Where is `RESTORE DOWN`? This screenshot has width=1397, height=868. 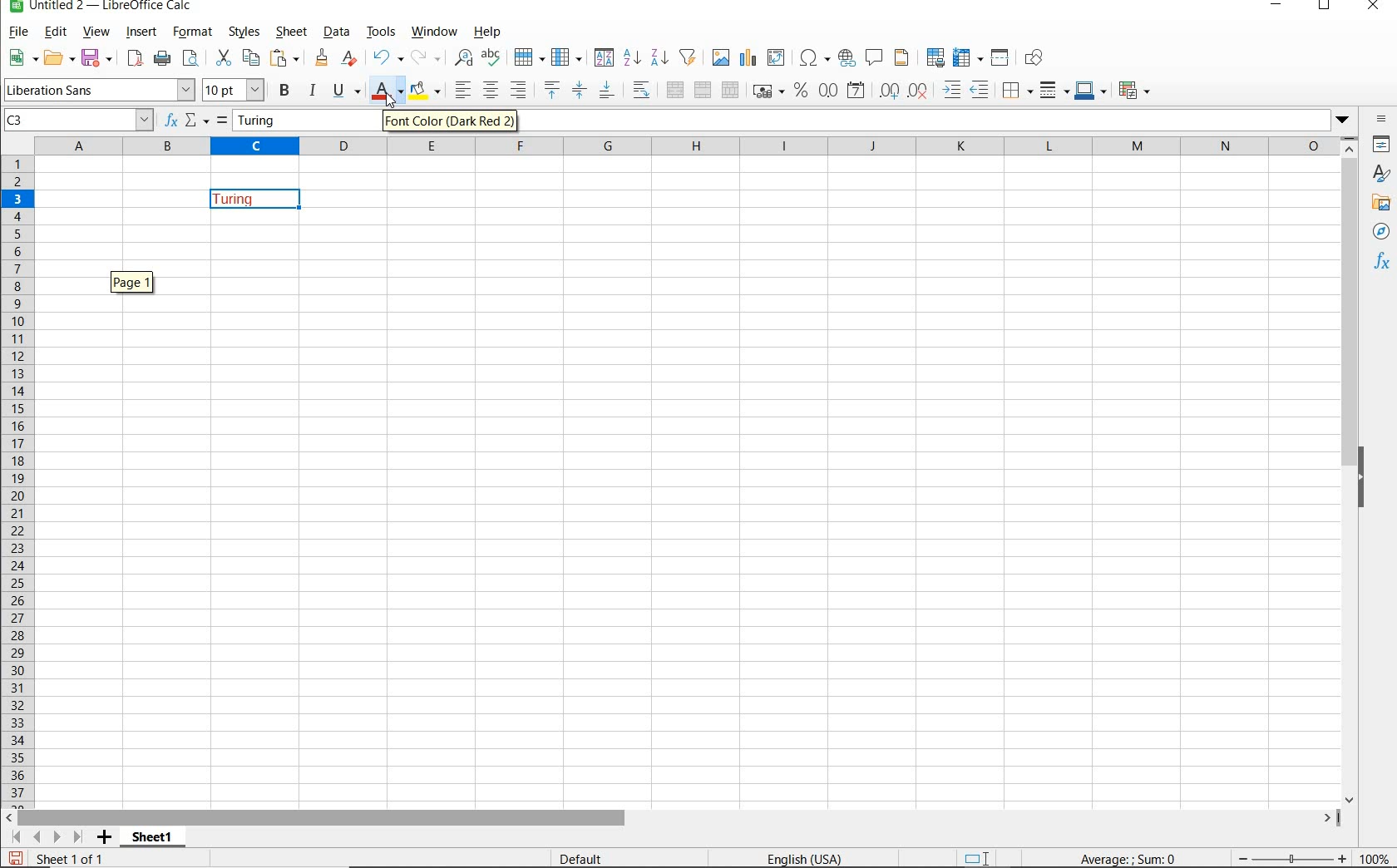
RESTORE DOWN is located at coordinates (1325, 7).